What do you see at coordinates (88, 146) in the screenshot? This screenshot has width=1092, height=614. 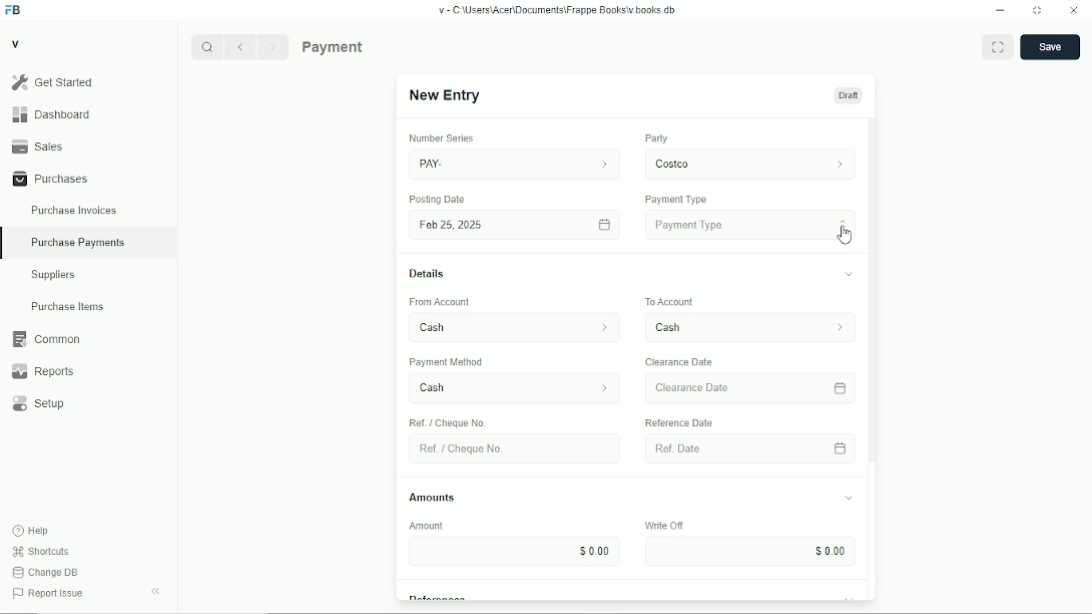 I see `Sales` at bounding box center [88, 146].